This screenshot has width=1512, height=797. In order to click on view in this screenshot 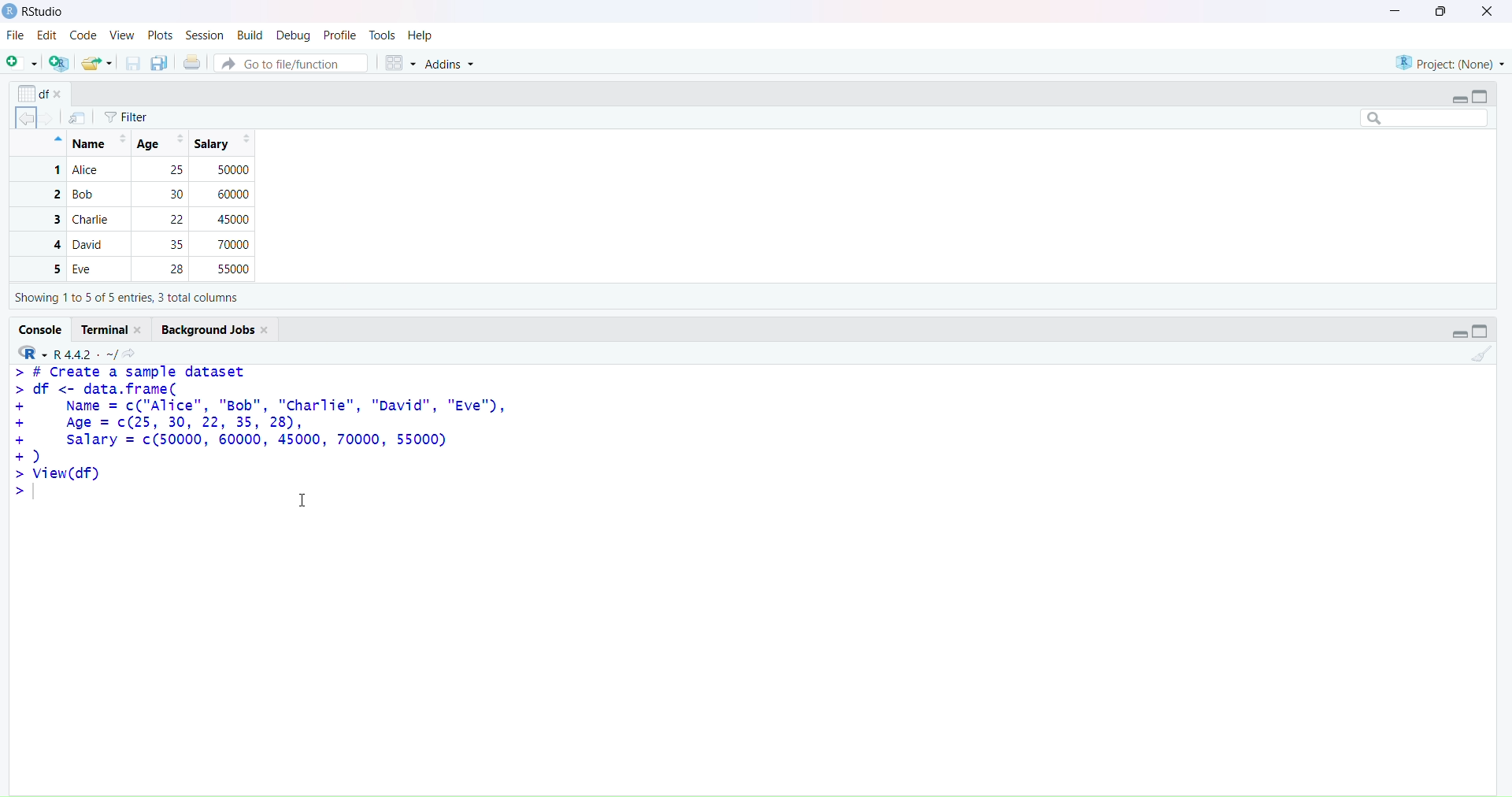, I will do `click(121, 34)`.